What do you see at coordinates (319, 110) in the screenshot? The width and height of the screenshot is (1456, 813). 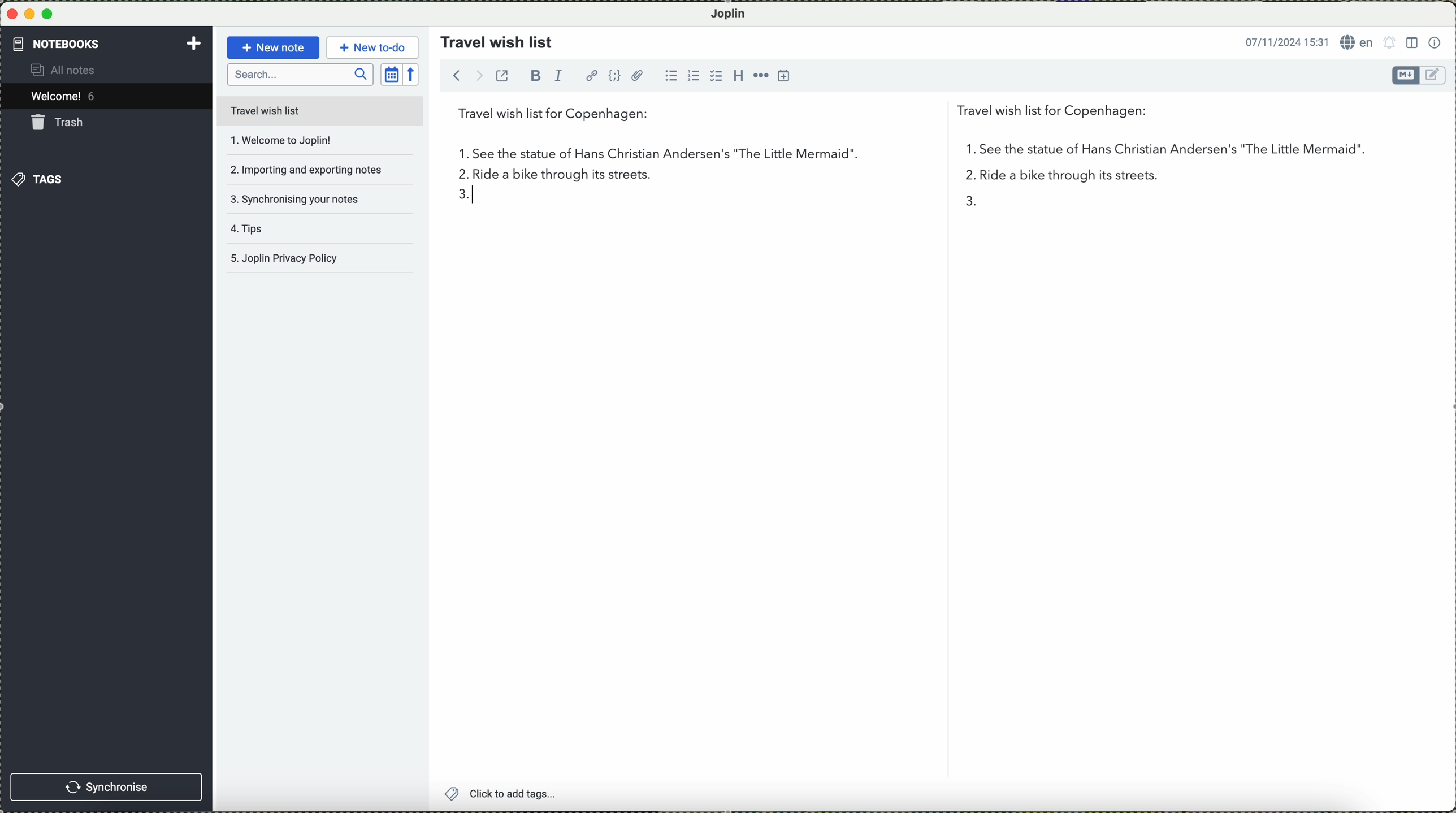 I see `travel wish list file` at bounding box center [319, 110].